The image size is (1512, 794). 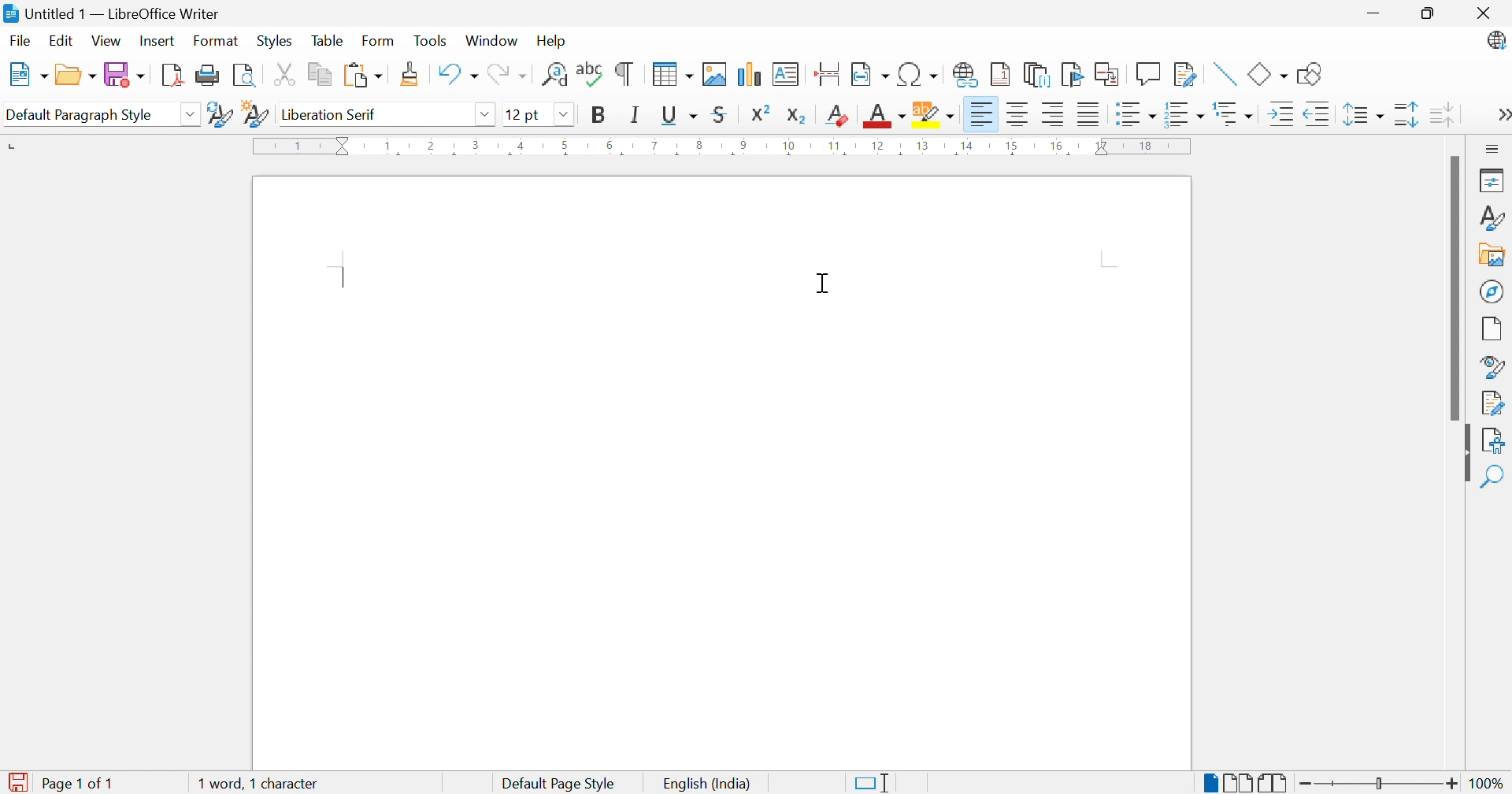 I want to click on Underline, so click(x=679, y=116).